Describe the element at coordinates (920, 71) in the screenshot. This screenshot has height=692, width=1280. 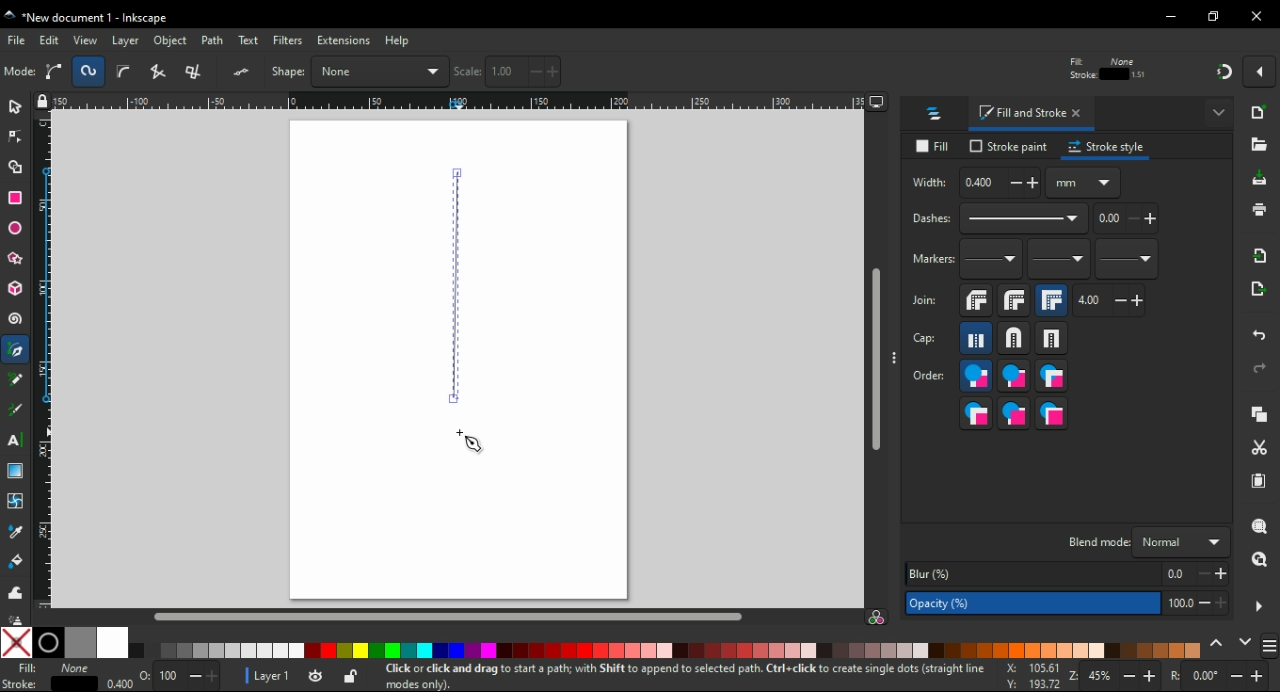
I see `height of selection` at that location.